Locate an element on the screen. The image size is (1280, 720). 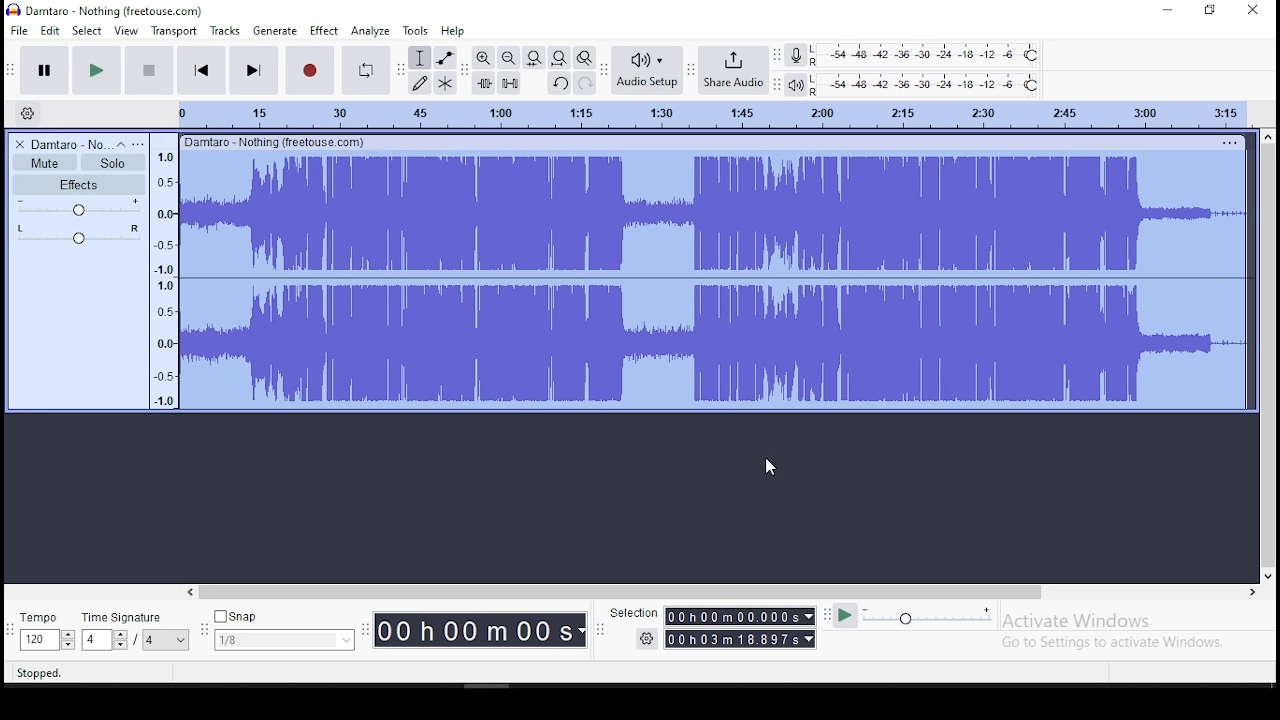
effects is located at coordinates (81, 184).